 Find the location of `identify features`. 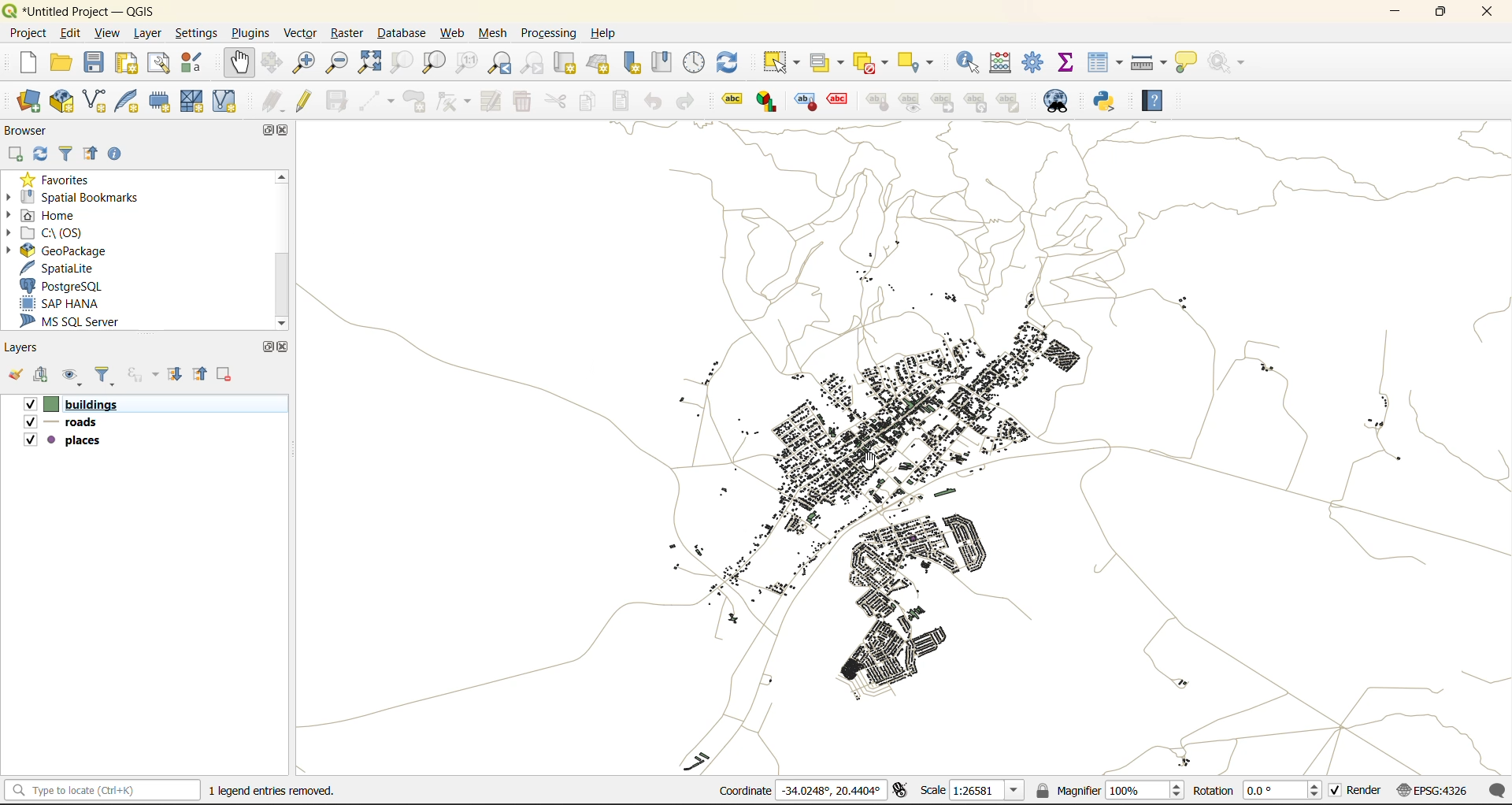

identify features is located at coordinates (969, 65).